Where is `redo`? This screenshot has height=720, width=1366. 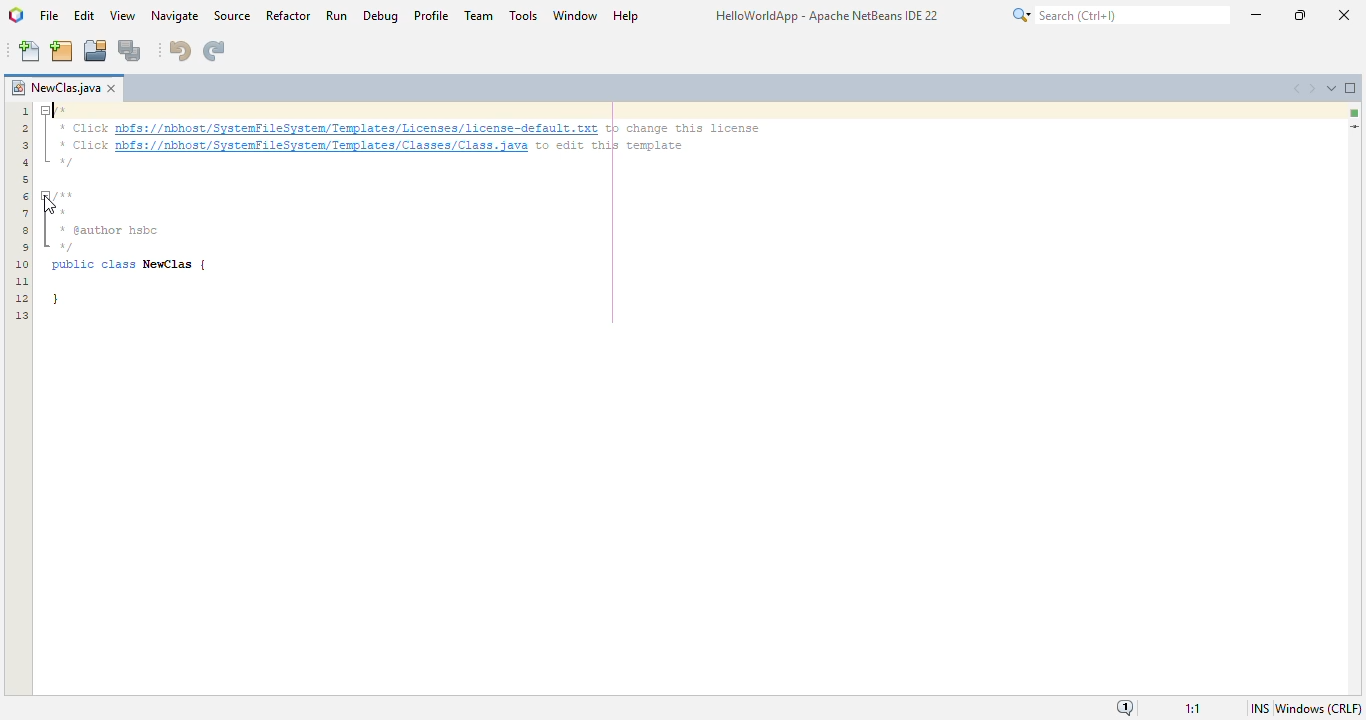 redo is located at coordinates (215, 51).